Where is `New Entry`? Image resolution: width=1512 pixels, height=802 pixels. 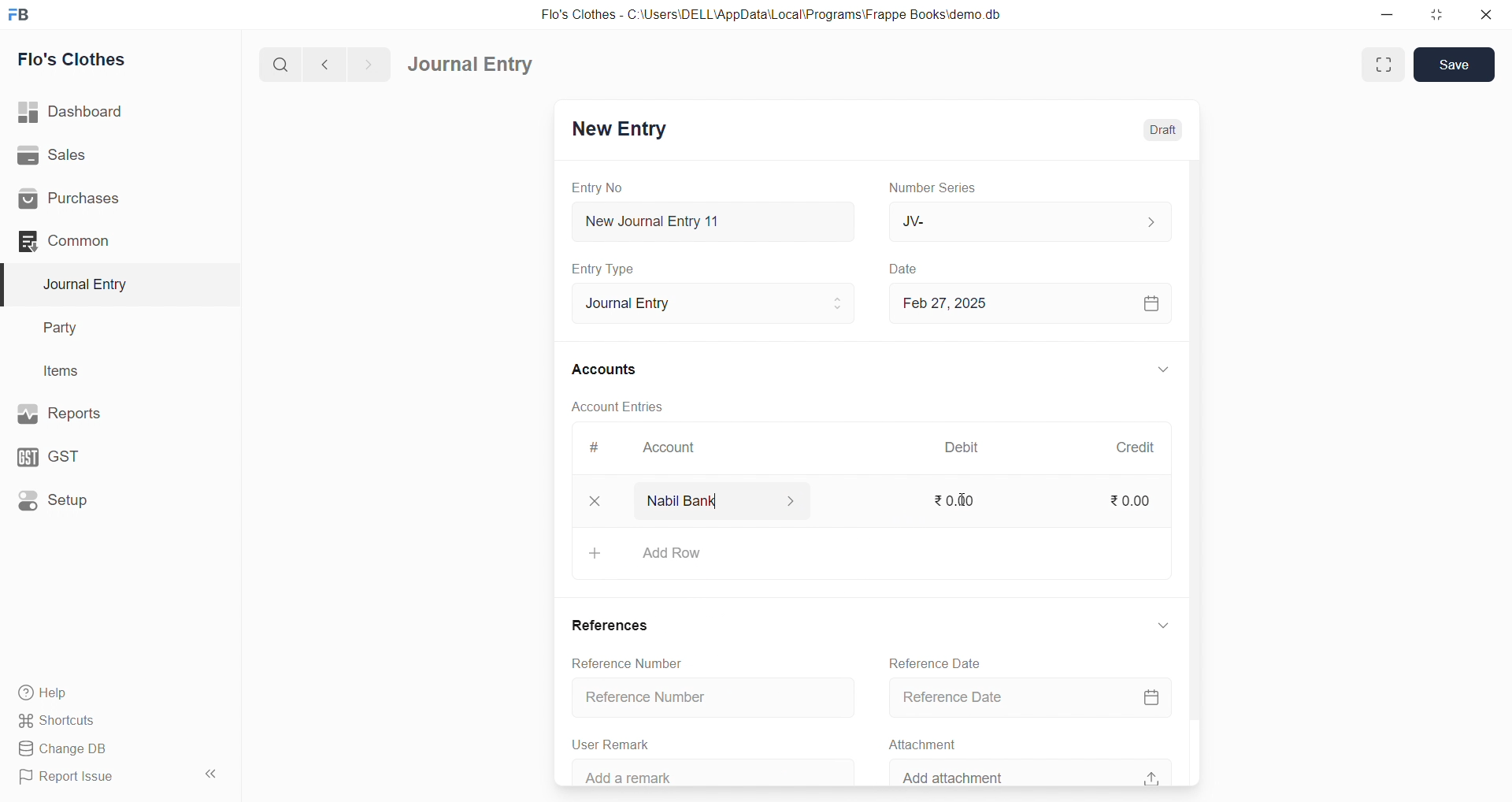
New Entry is located at coordinates (622, 130).